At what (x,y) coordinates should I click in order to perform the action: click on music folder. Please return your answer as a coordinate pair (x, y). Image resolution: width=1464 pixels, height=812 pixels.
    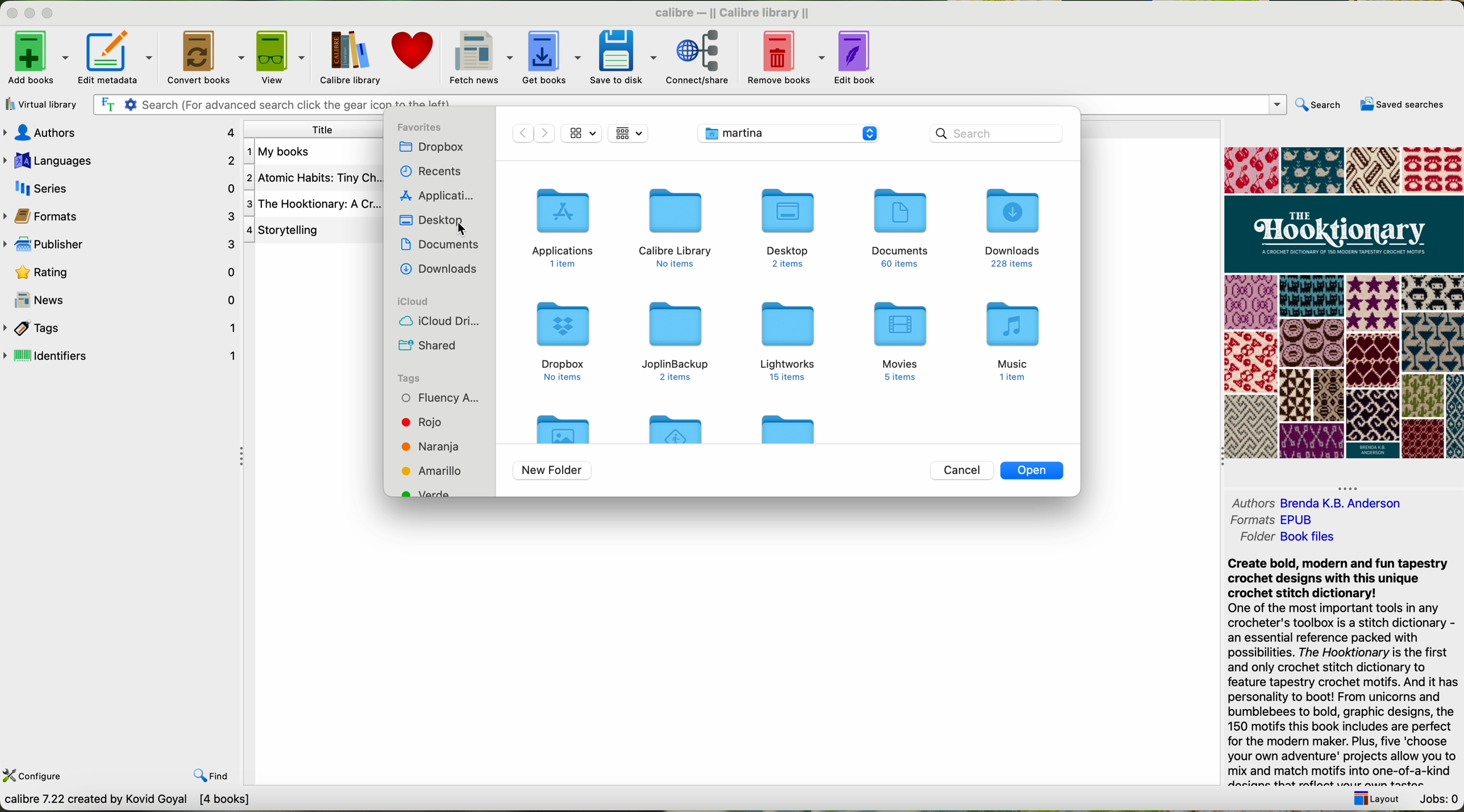
    Looking at the image, I should click on (1010, 340).